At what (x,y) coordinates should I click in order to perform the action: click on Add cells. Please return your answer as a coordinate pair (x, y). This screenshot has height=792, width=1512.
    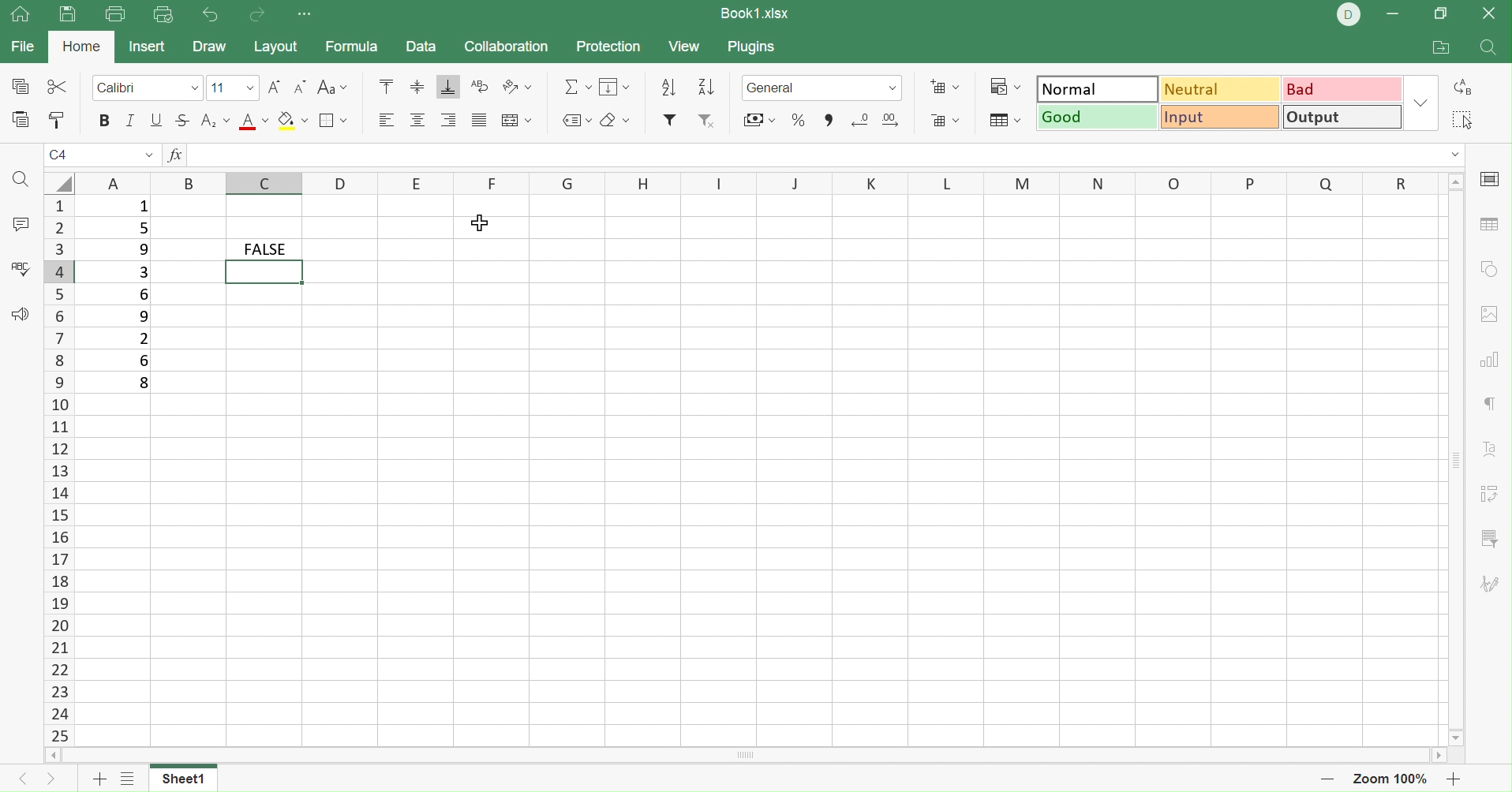
    Looking at the image, I should click on (943, 85).